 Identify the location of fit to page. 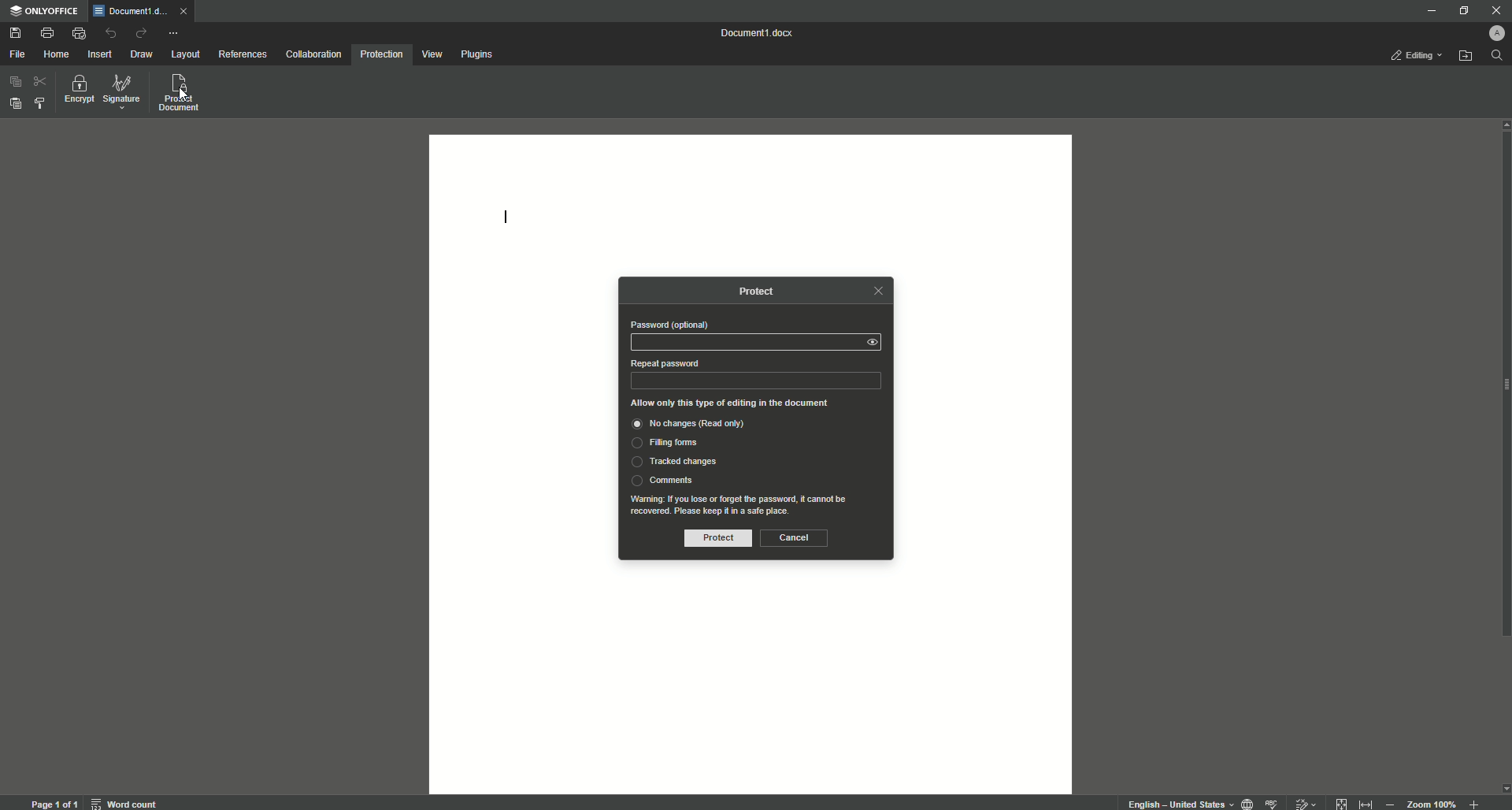
(1342, 801).